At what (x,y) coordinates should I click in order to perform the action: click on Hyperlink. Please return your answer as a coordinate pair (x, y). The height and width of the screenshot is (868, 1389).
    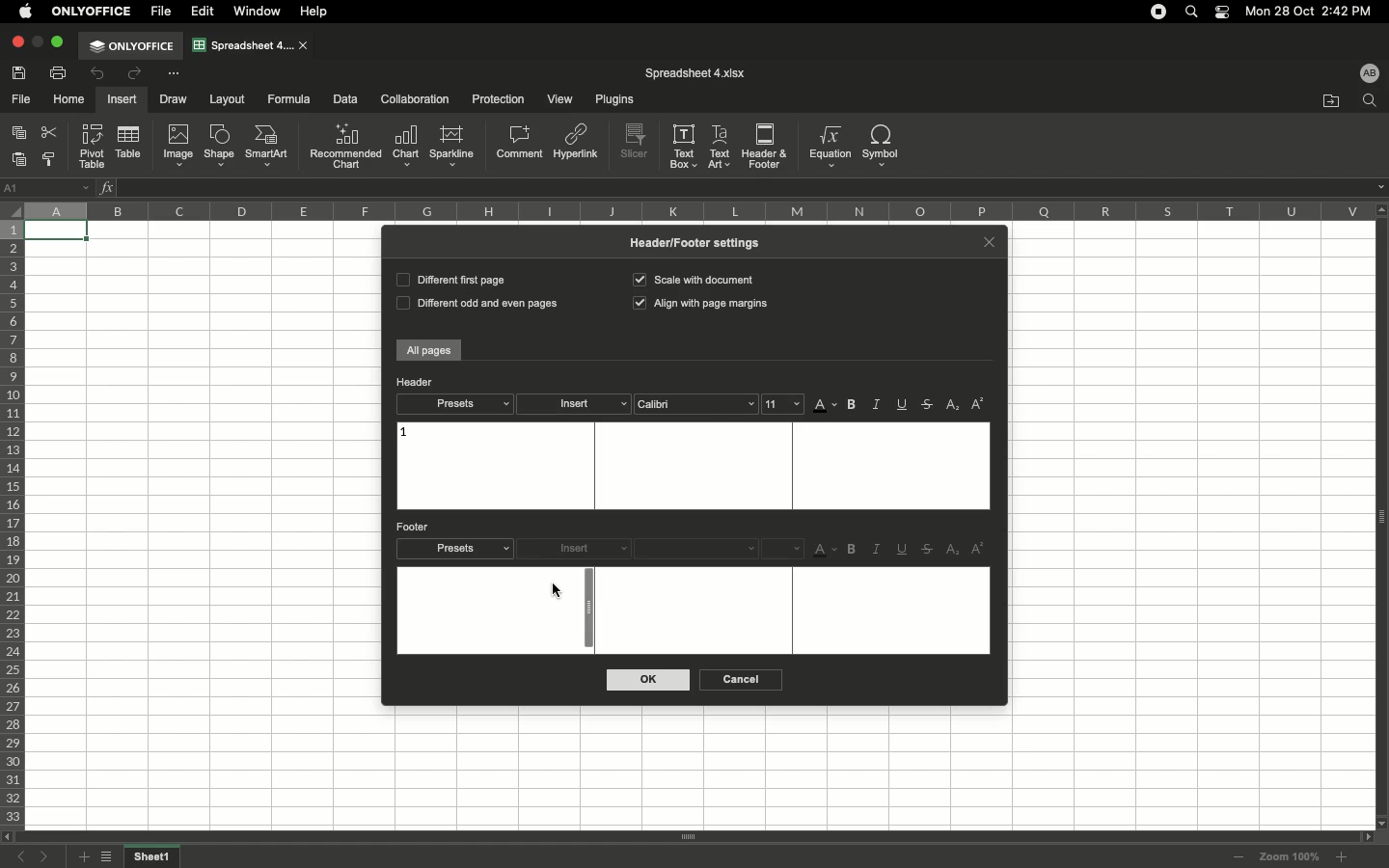
    Looking at the image, I should click on (577, 146).